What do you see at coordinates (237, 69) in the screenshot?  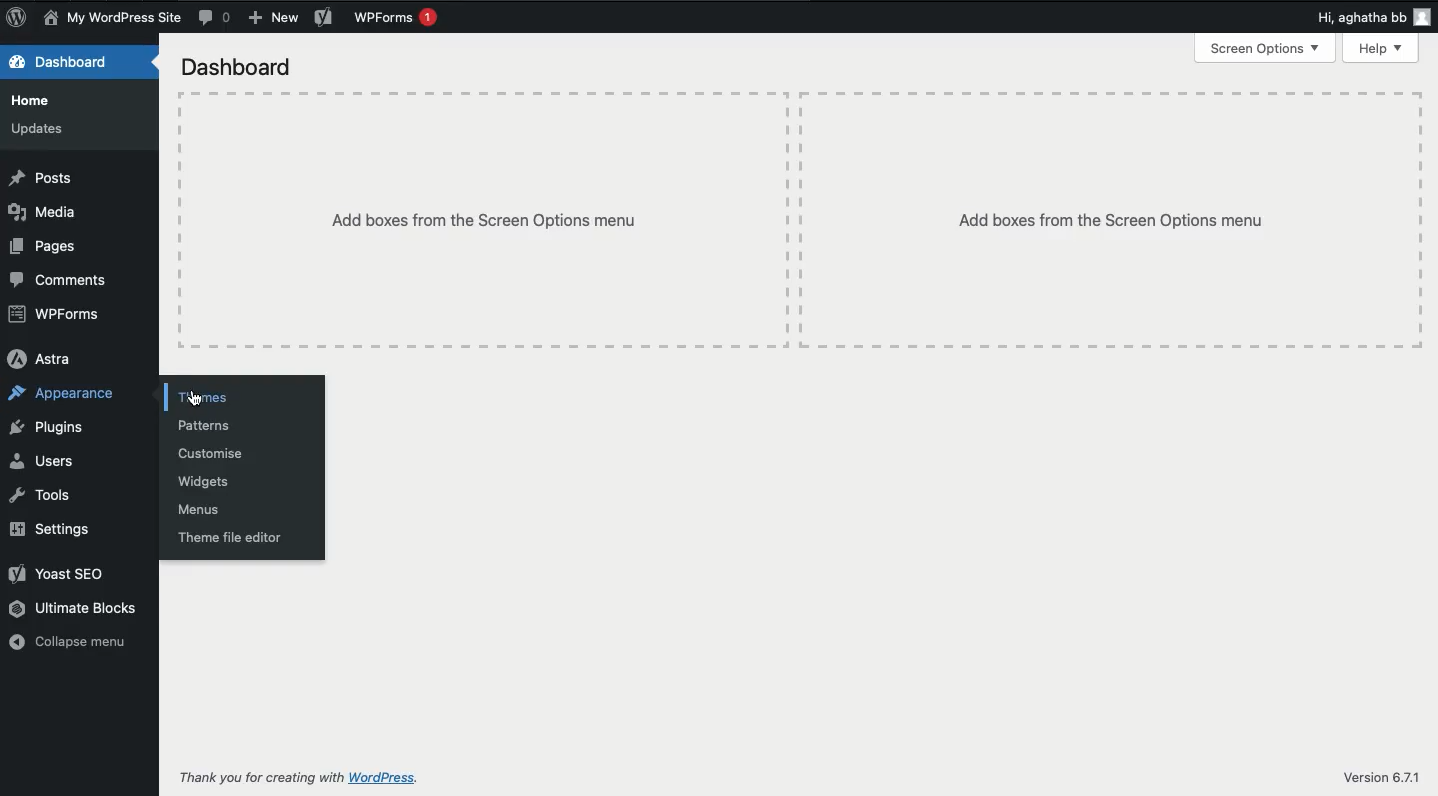 I see `Dashboard` at bounding box center [237, 69].